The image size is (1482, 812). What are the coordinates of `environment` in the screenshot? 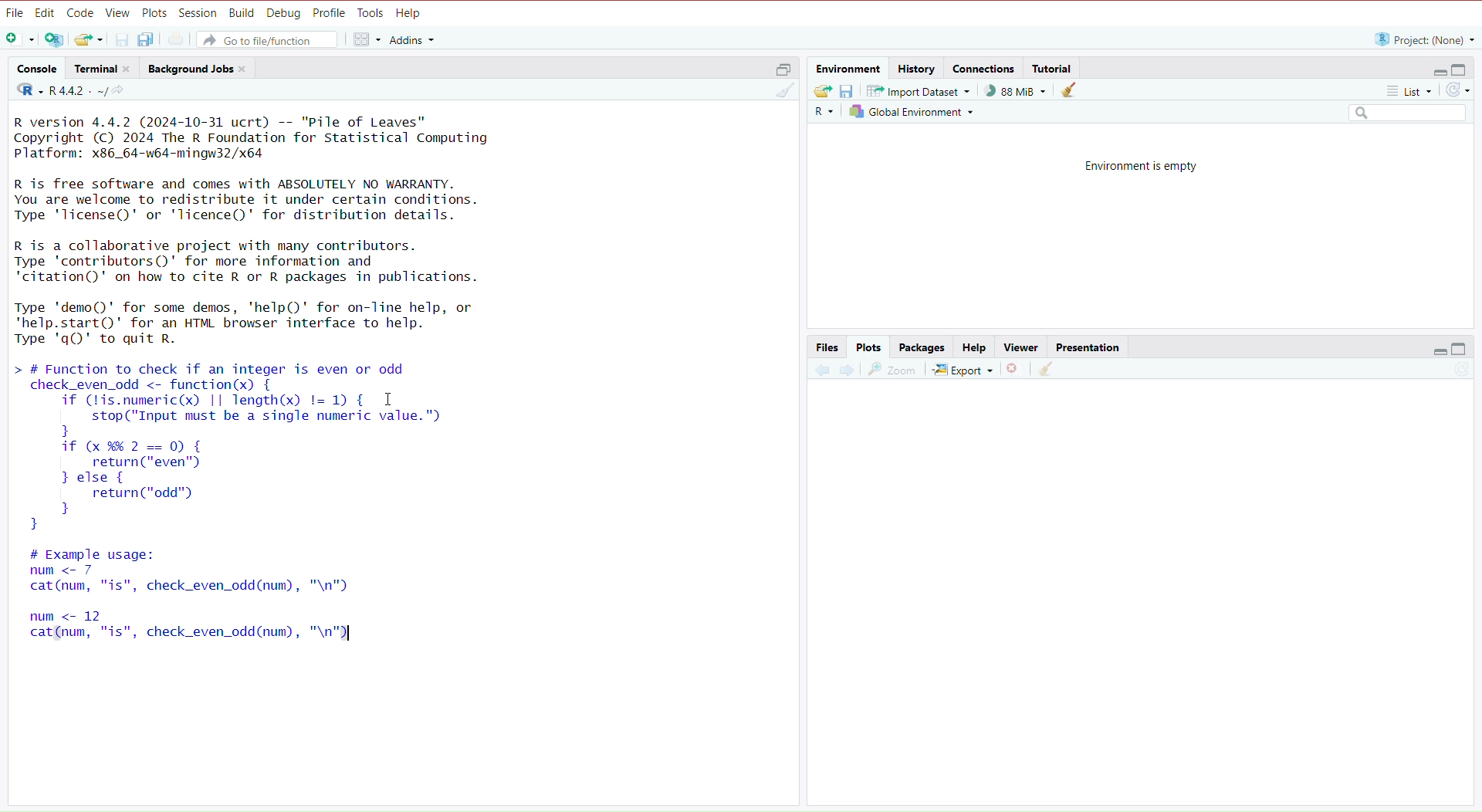 It's located at (849, 69).